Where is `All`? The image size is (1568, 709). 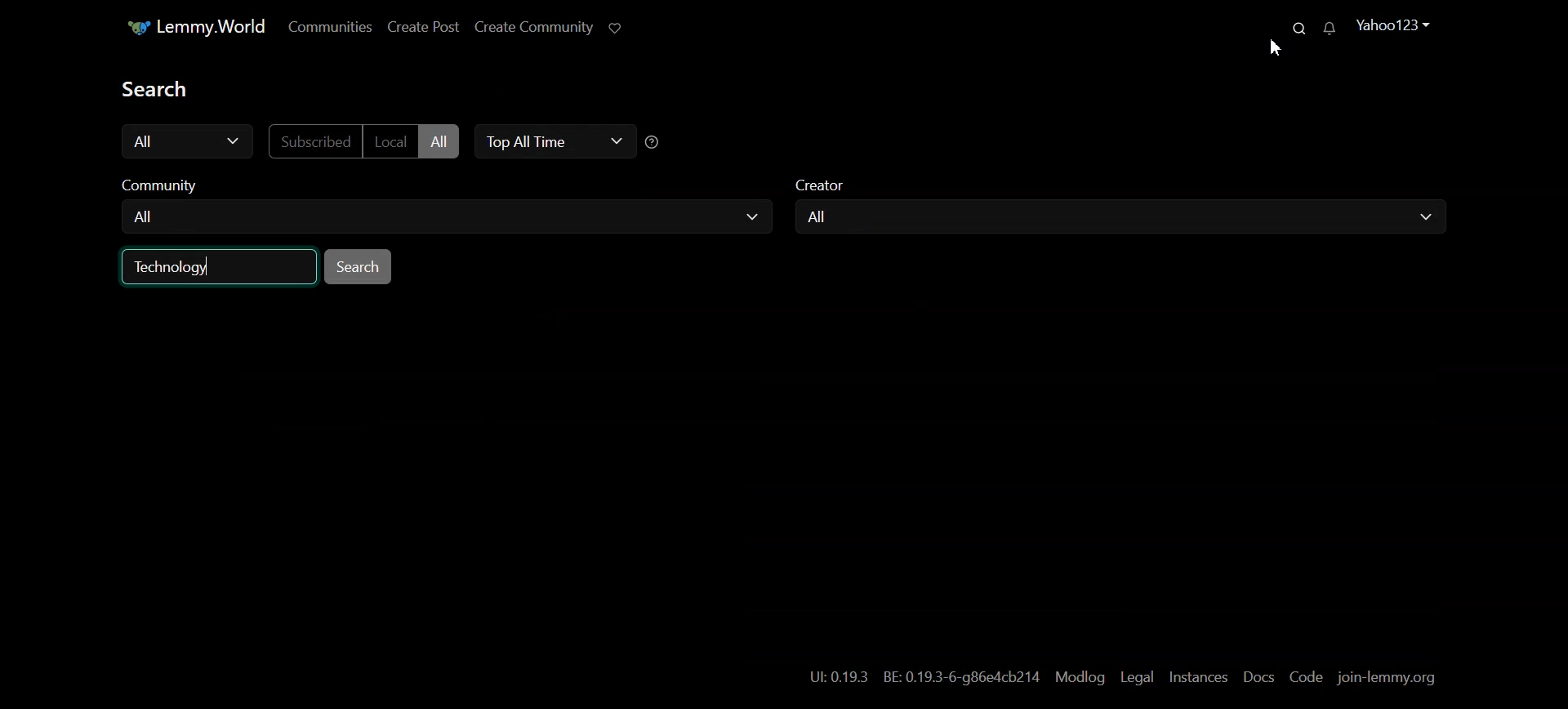
All is located at coordinates (1122, 217).